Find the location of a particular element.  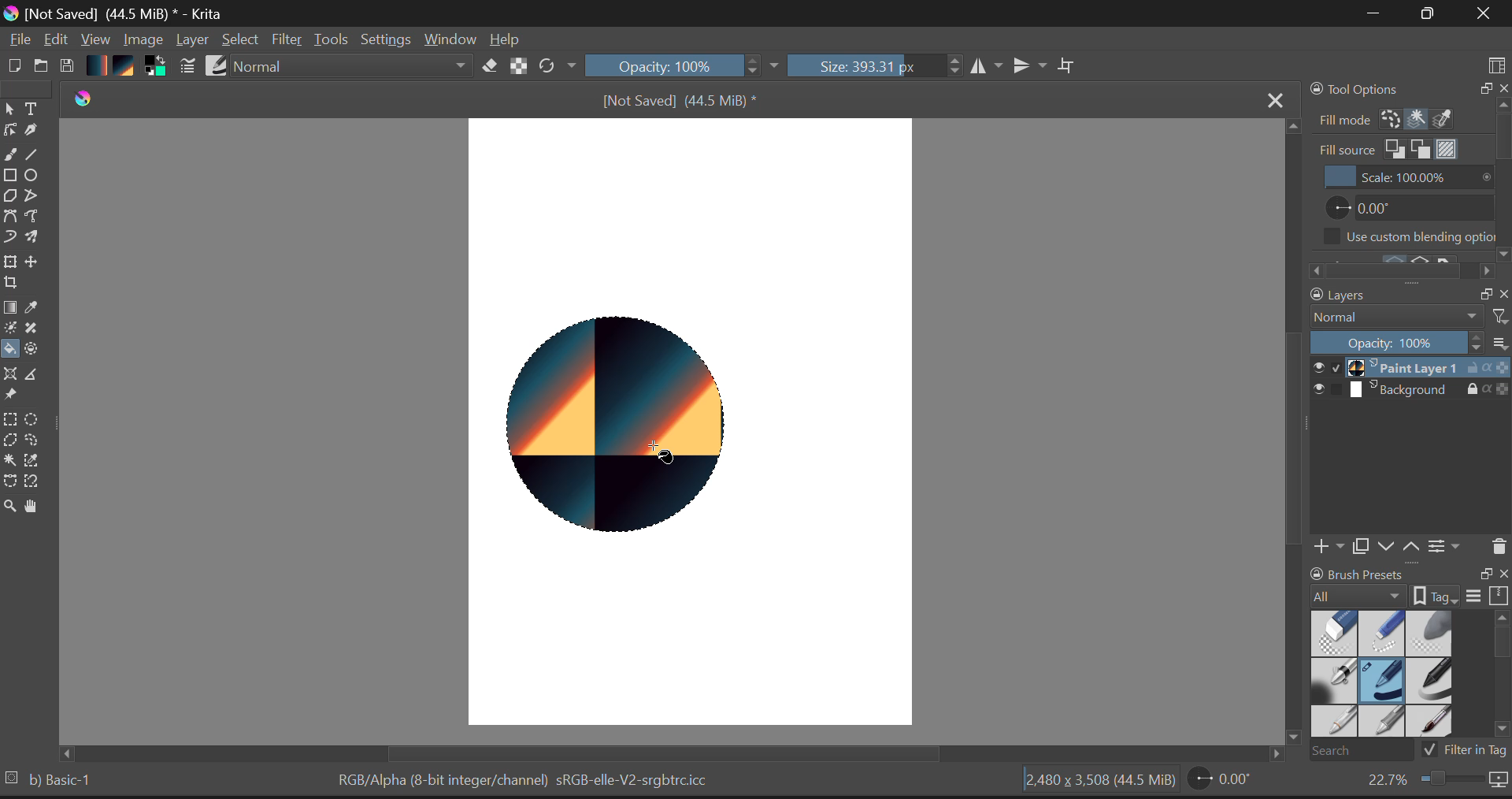

Measurements is located at coordinates (38, 375).